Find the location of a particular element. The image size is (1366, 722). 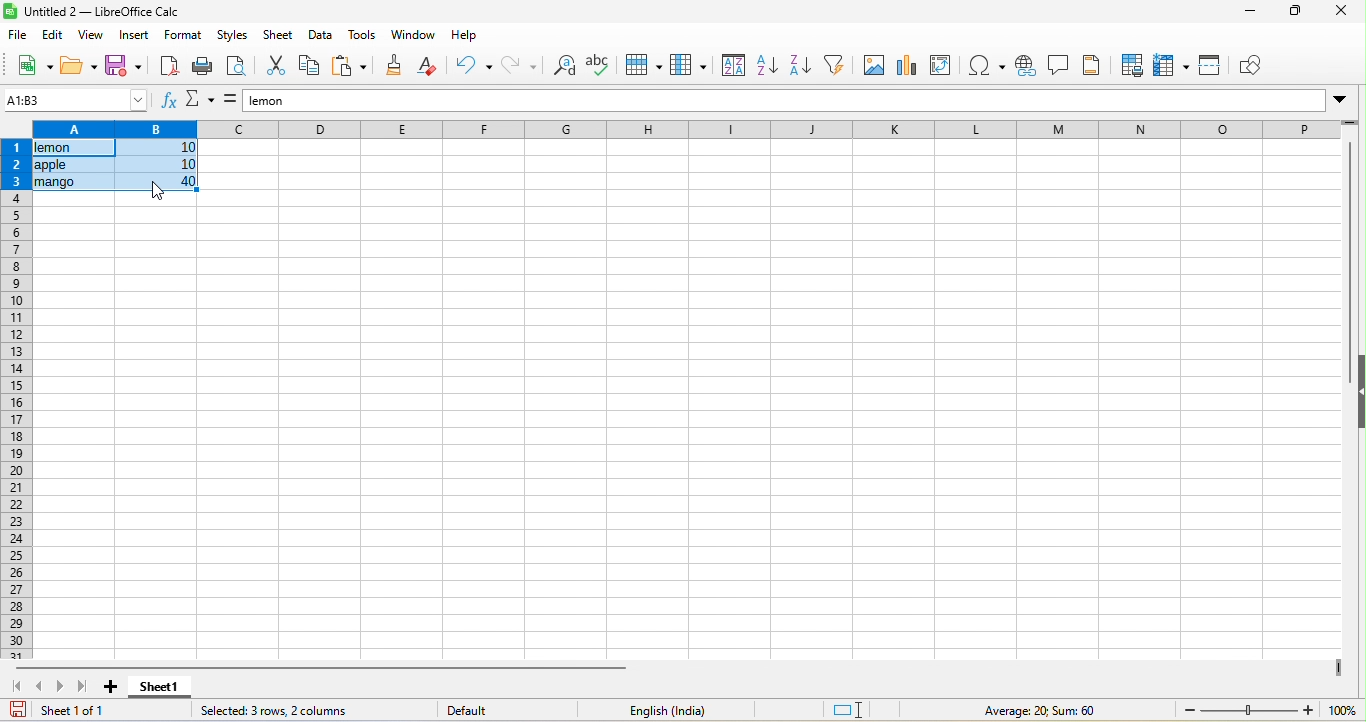

sheet is located at coordinates (280, 36).